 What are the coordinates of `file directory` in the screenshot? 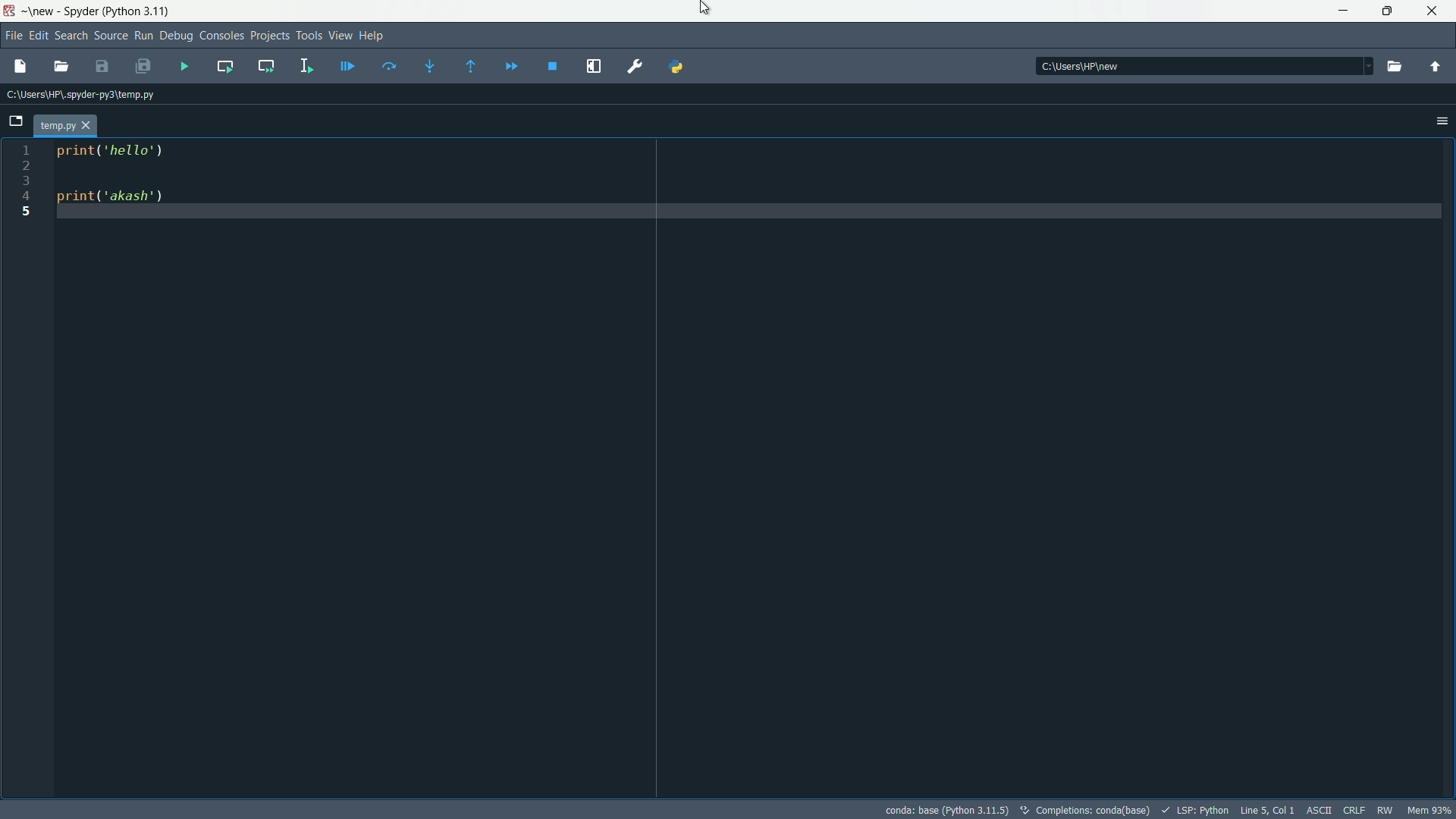 It's located at (83, 93).